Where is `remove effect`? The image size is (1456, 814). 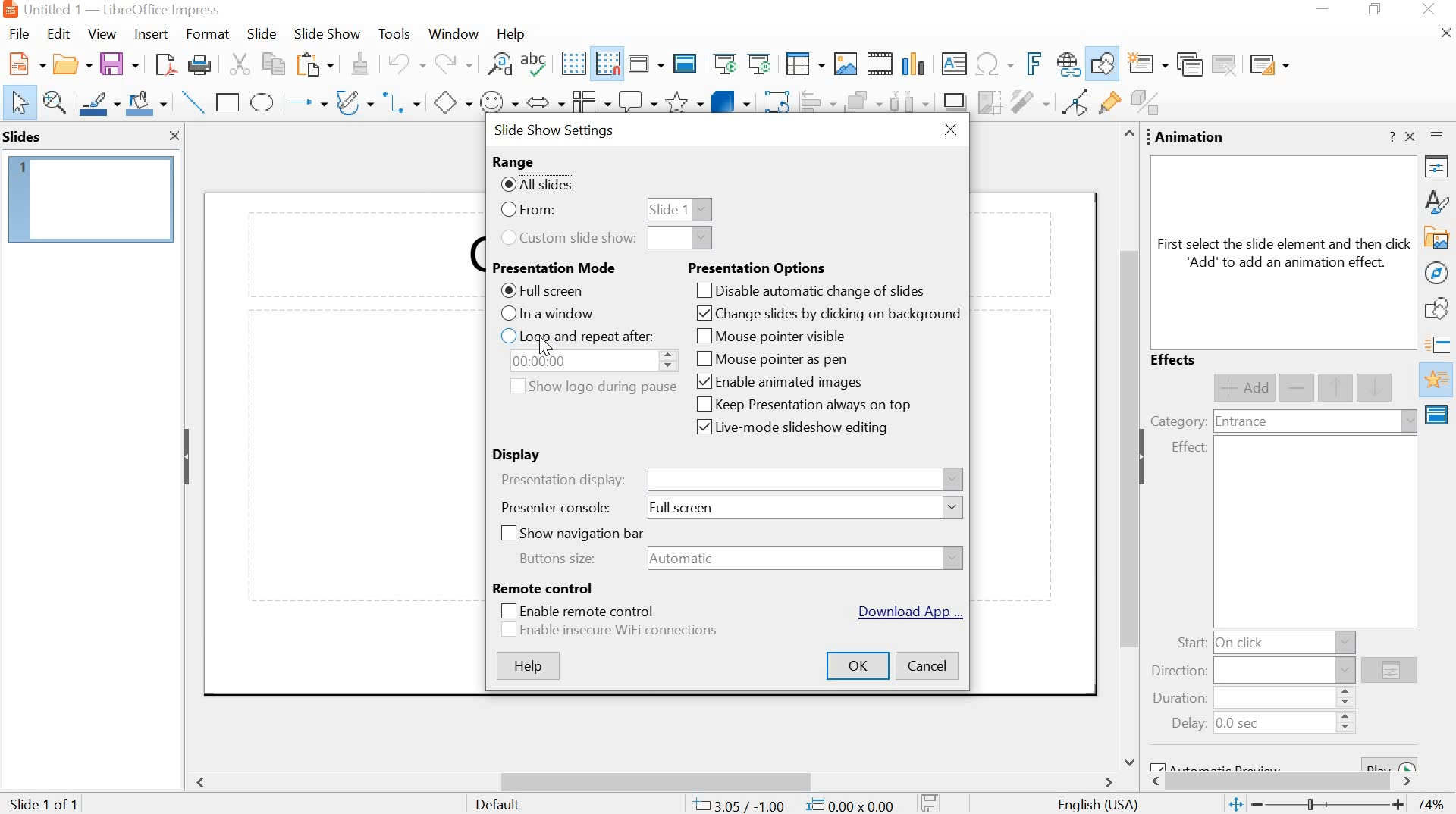
remove effect is located at coordinates (1298, 389).